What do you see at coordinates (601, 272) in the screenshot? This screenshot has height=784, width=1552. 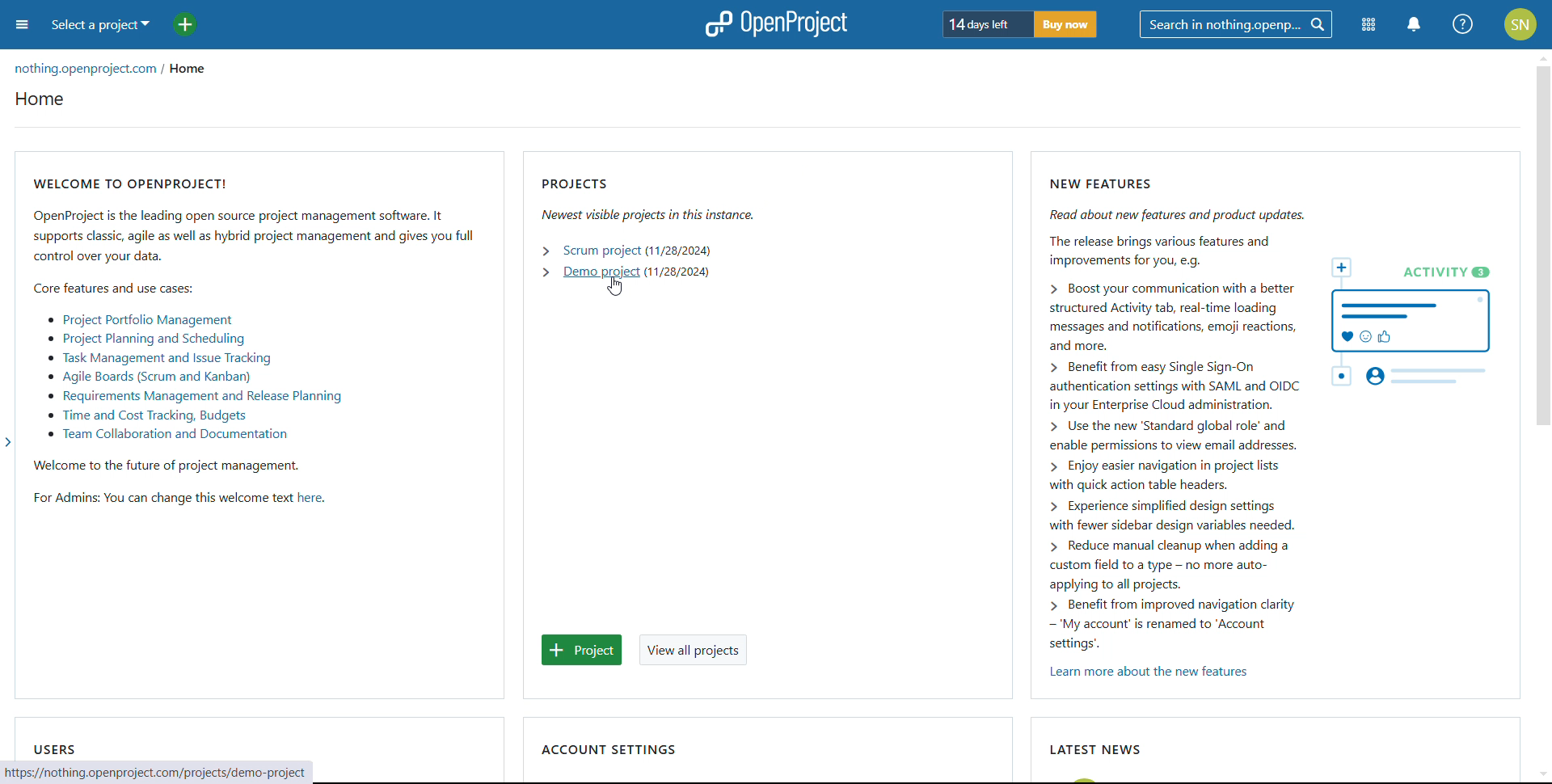 I see `open demo project` at bounding box center [601, 272].